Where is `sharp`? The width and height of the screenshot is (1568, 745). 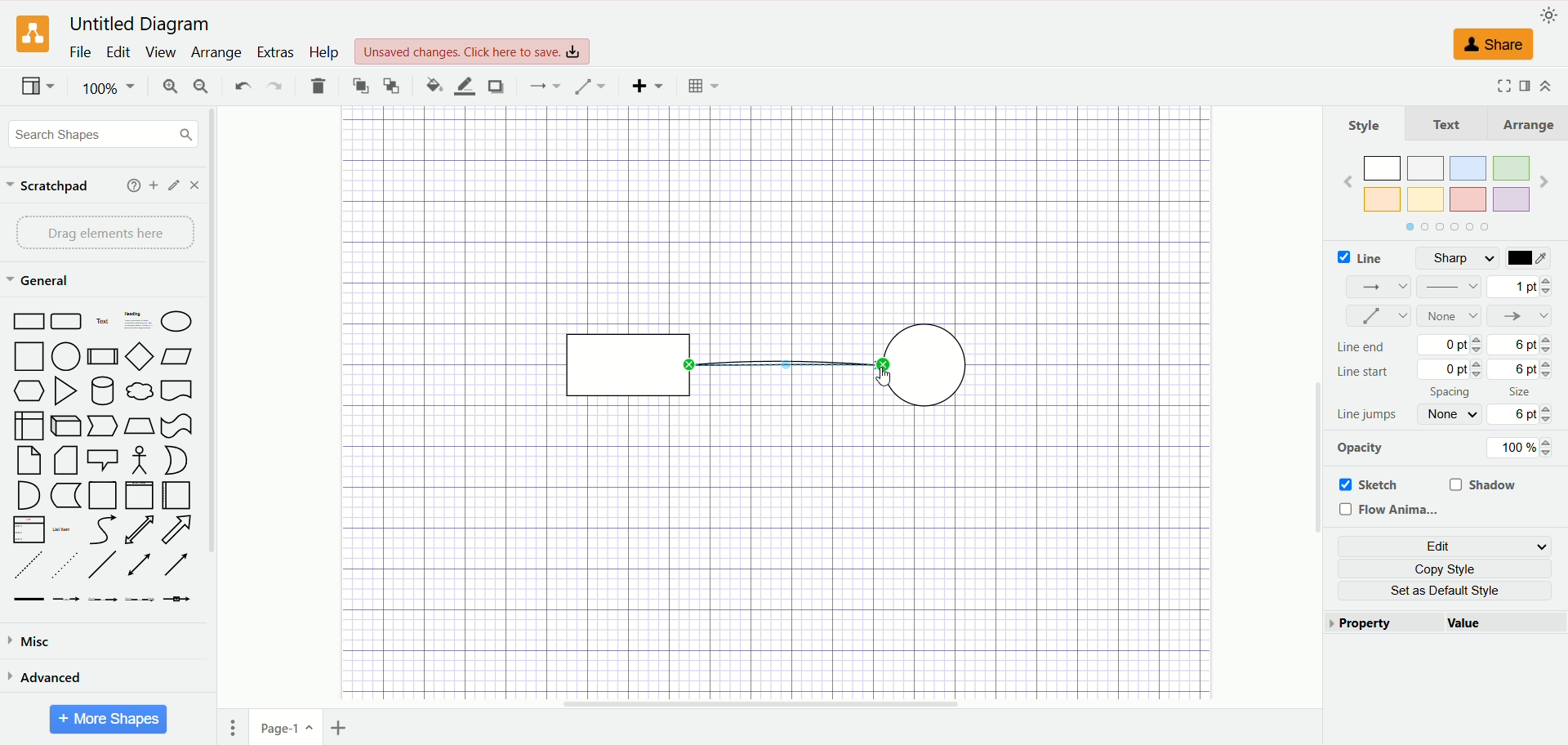
sharp is located at coordinates (1462, 259).